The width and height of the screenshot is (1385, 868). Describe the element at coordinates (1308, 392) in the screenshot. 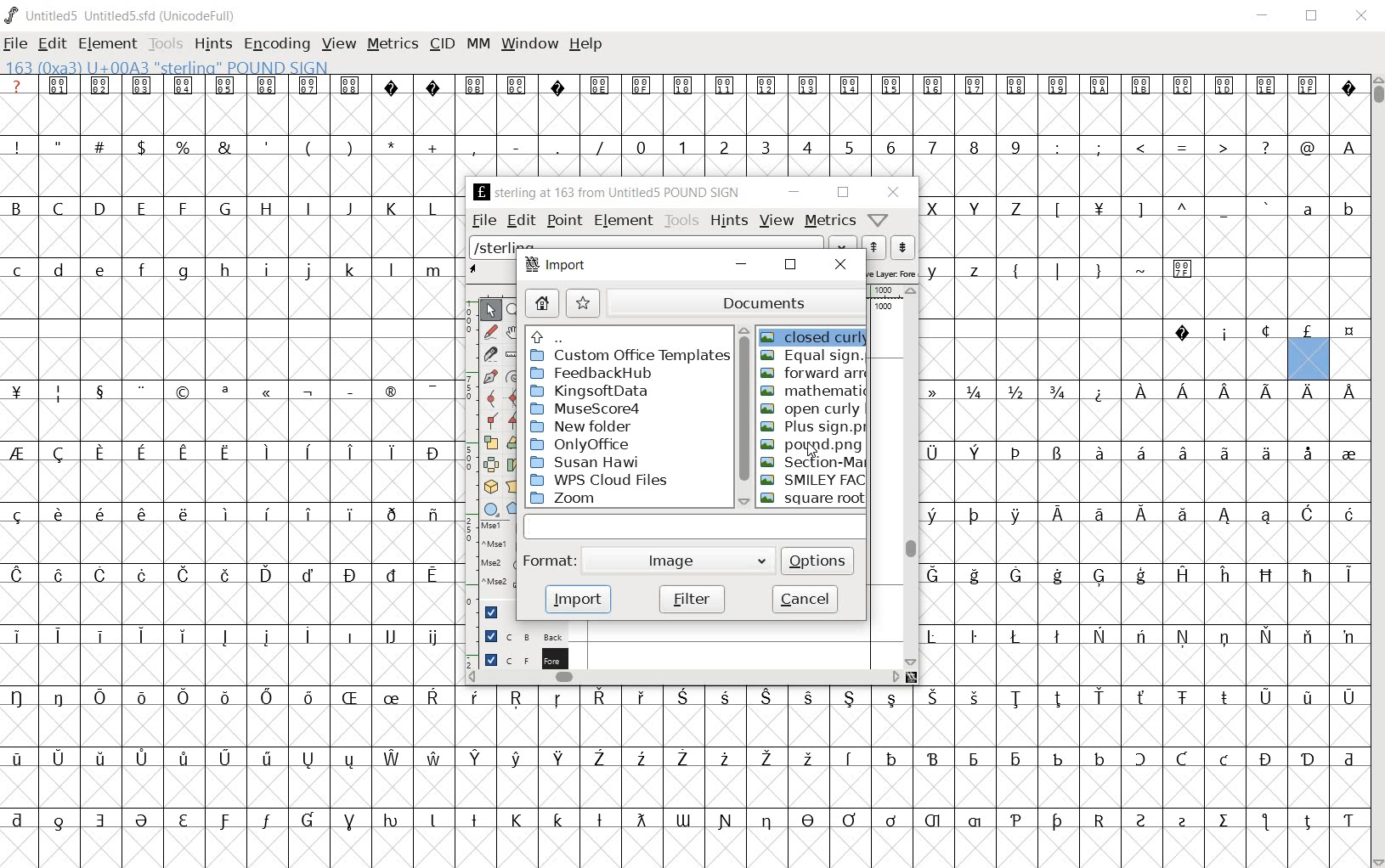

I see `Symbol` at that location.